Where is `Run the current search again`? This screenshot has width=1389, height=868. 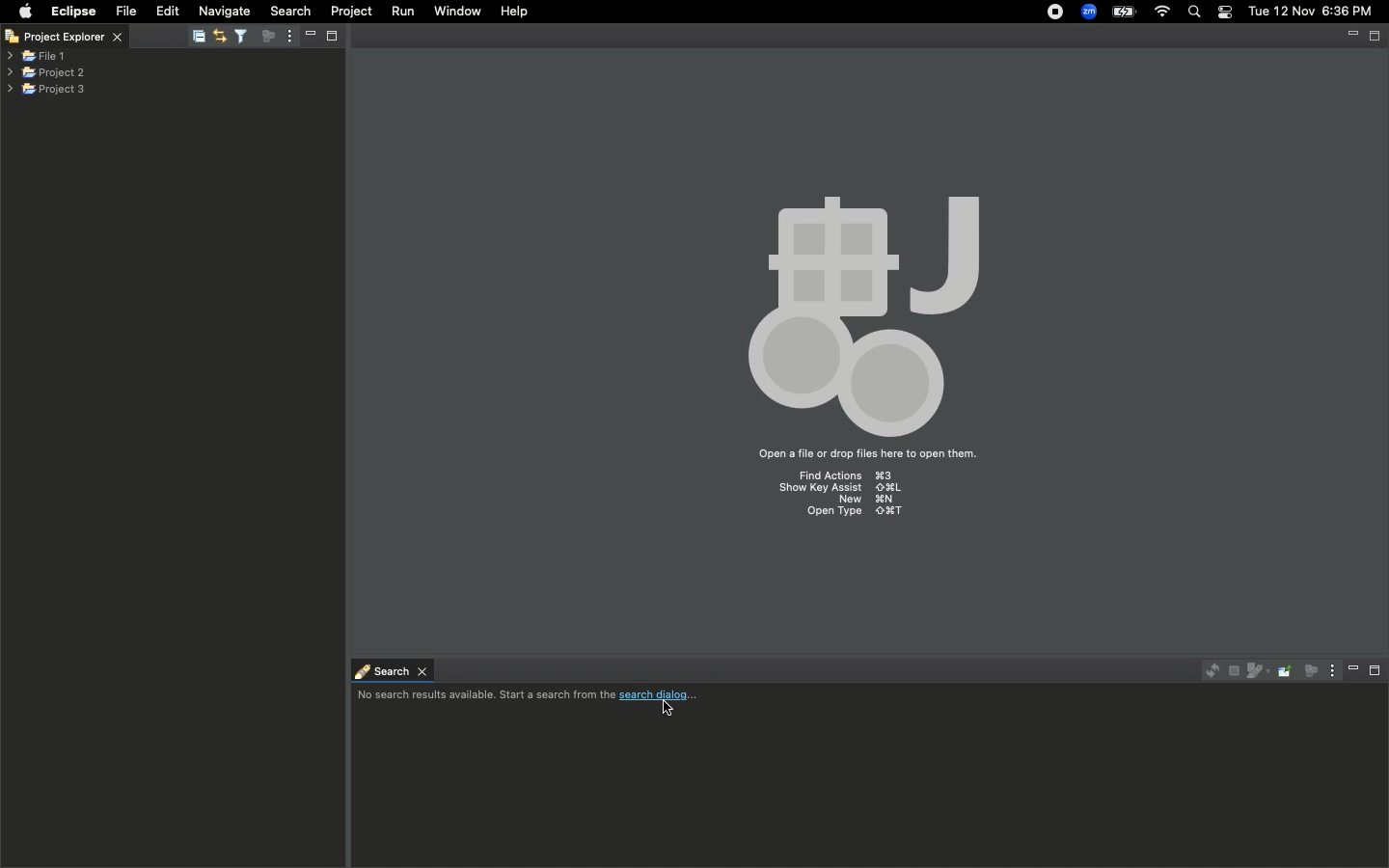 Run the current search again is located at coordinates (1208, 670).